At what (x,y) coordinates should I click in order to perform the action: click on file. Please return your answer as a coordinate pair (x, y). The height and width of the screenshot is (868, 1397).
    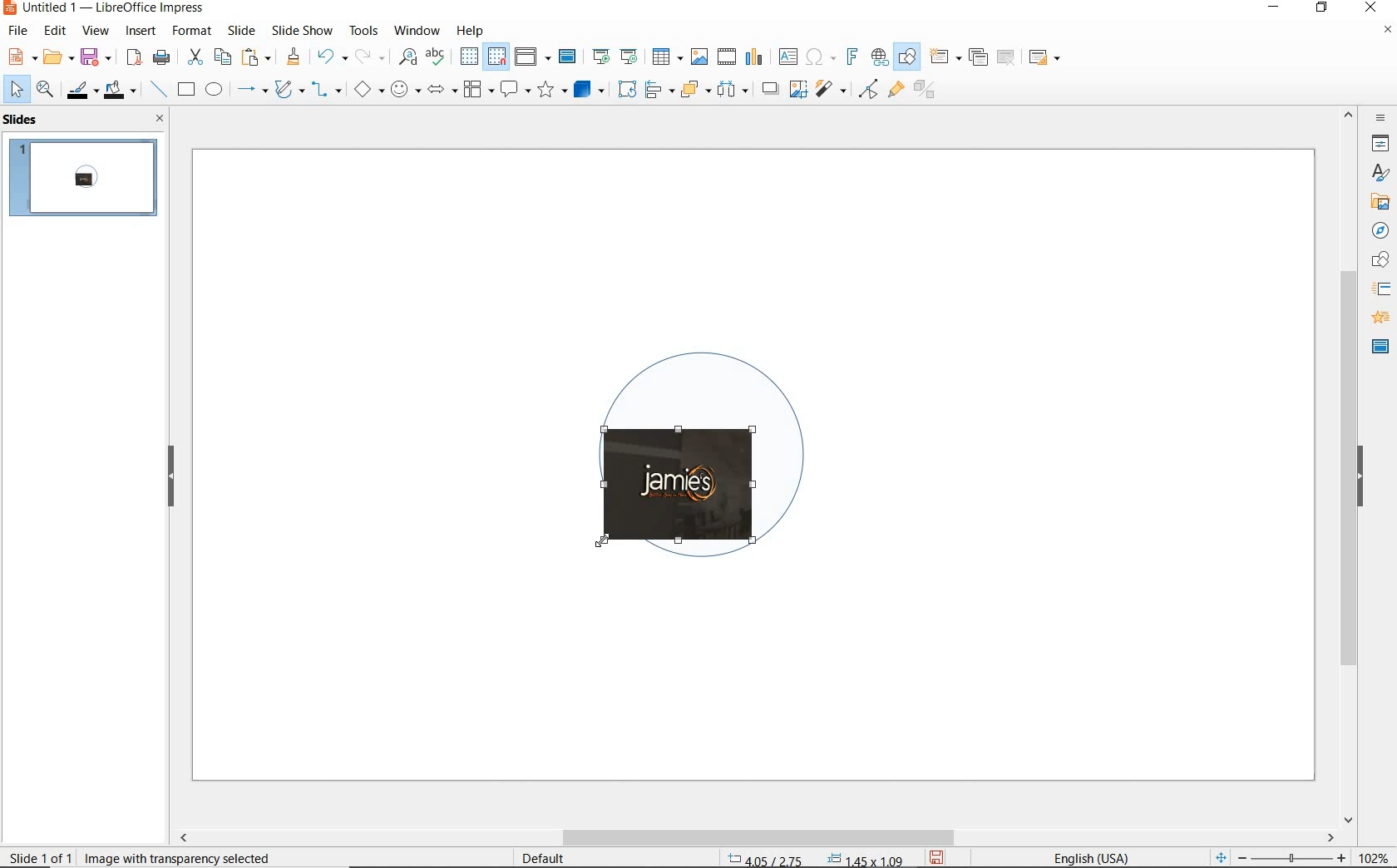
    Looking at the image, I should click on (19, 31).